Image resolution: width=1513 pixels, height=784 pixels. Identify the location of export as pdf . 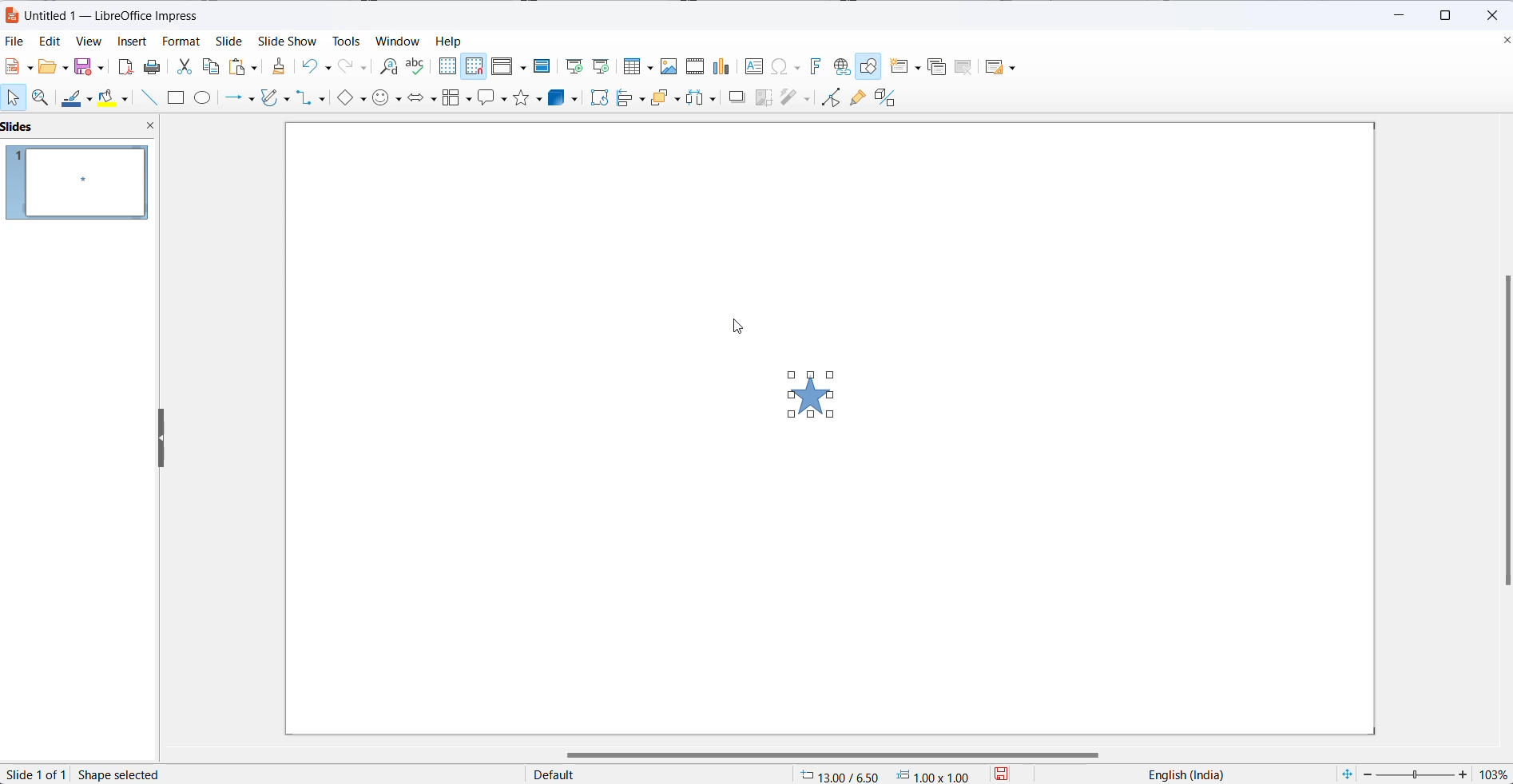
(126, 65).